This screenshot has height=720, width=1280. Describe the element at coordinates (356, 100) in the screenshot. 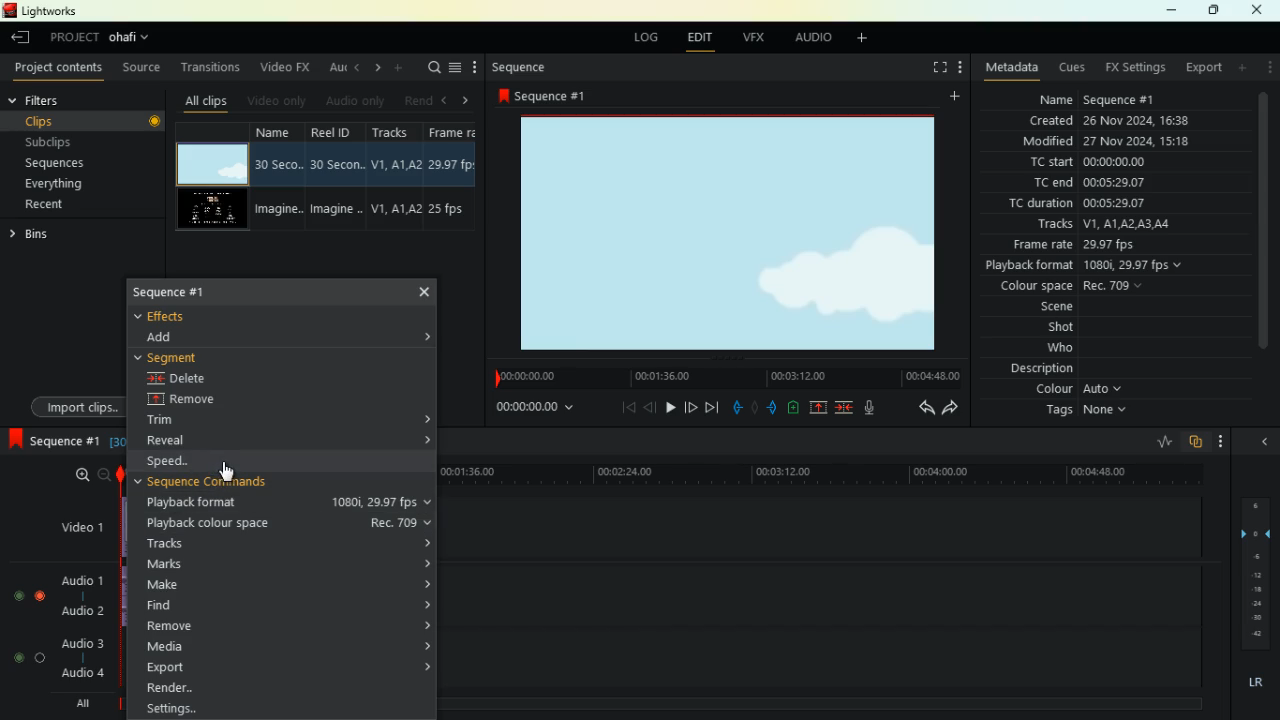

I see `audio only` at that location.